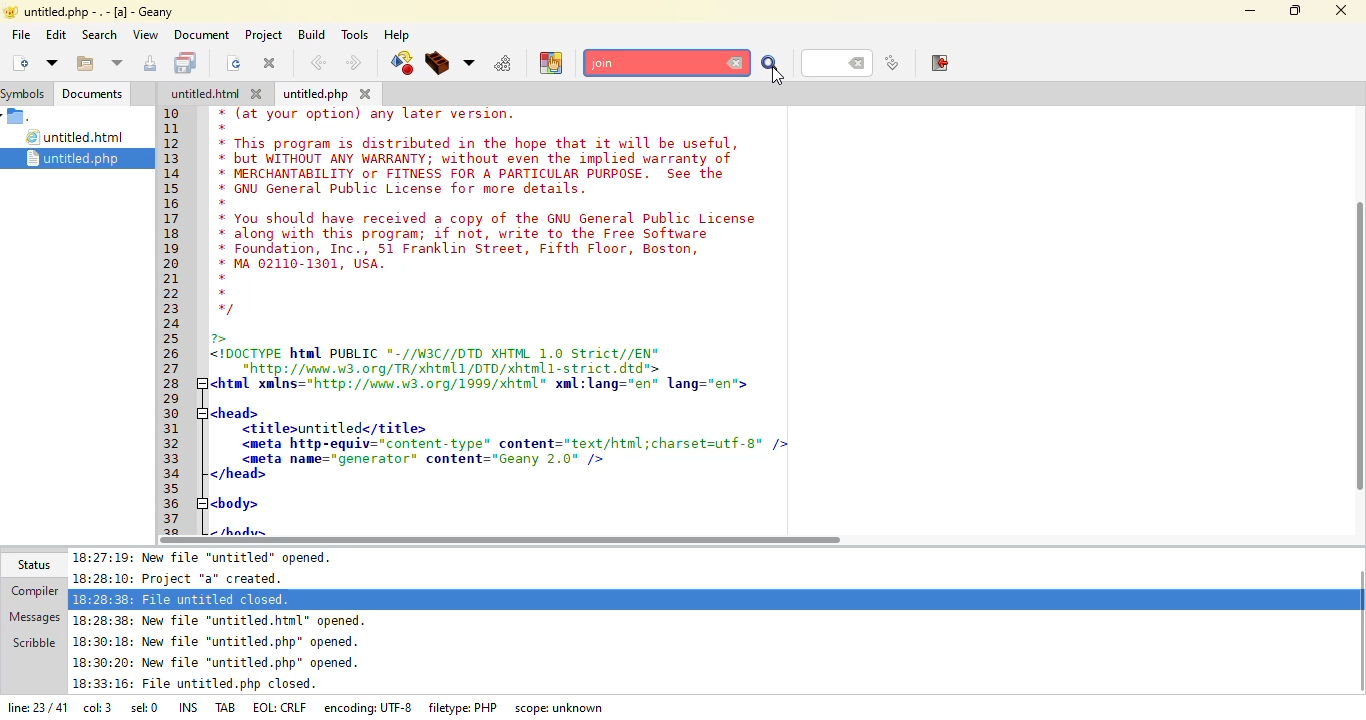 The width and height of the screenshot is (1366, 720). I want to click on document, so click(201, 34).